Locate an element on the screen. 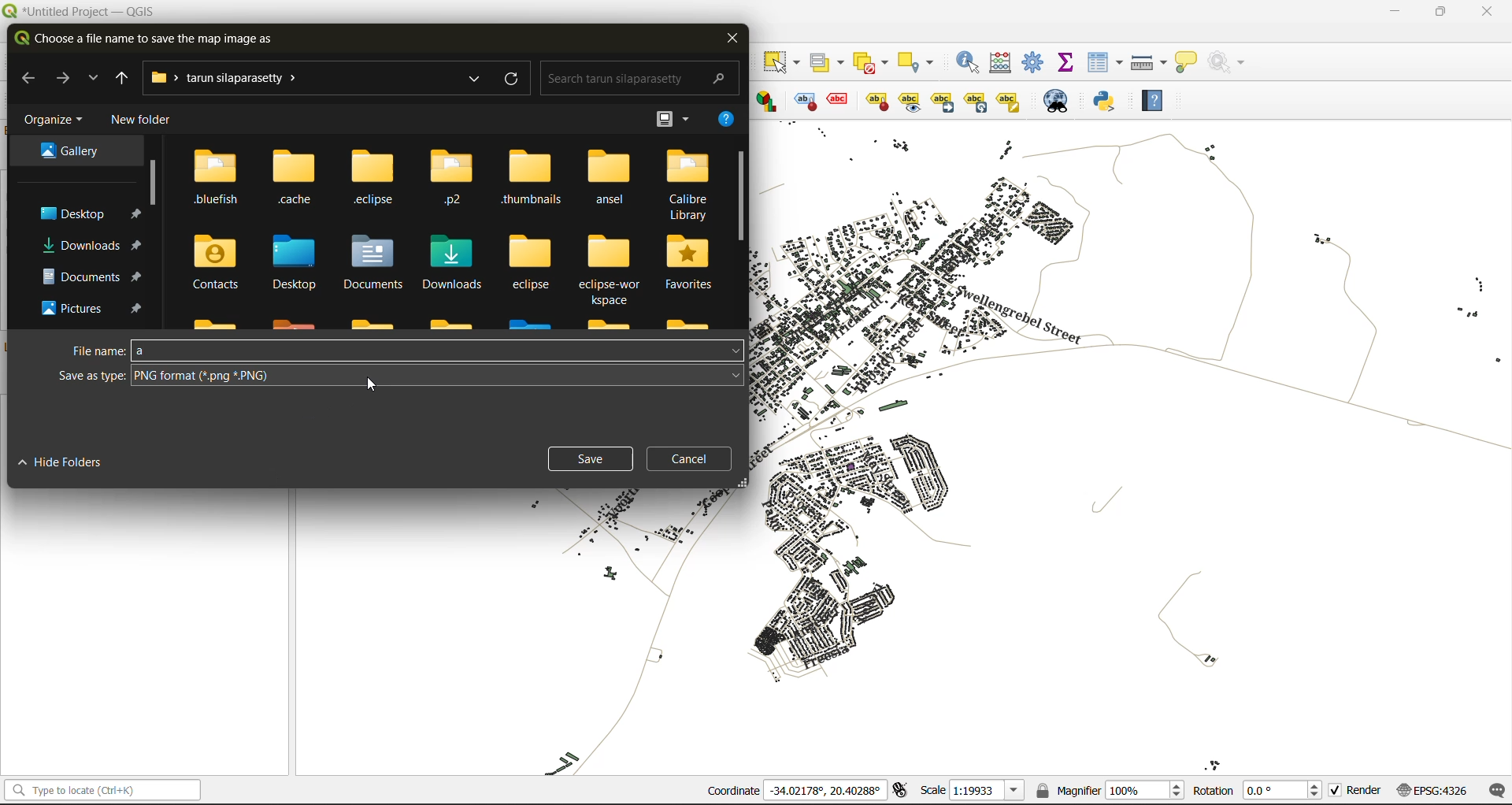 The width and height of the screenshot is (1512, 805). Rotate a label is located at coordinates (976, 100).